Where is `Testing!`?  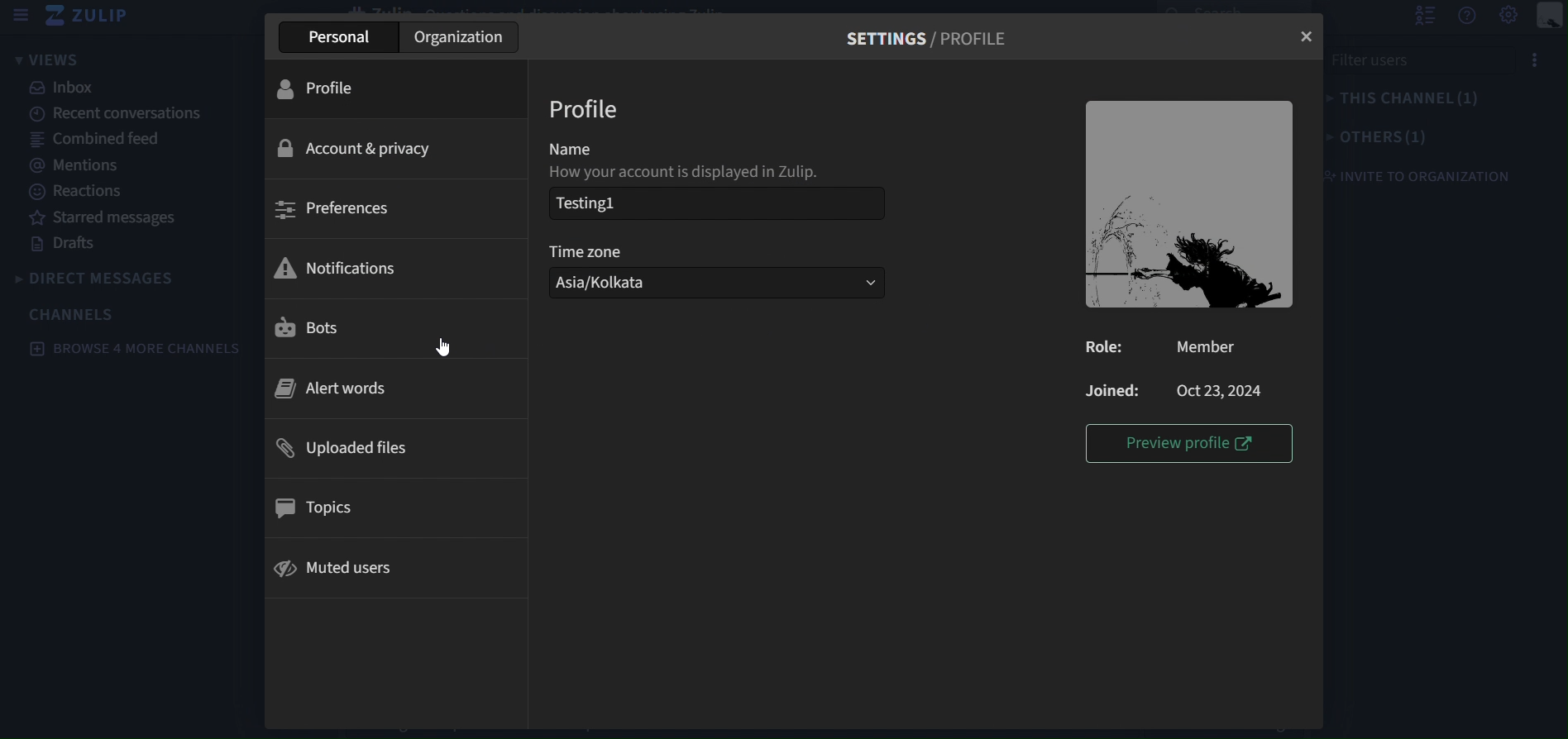
Testing! is located at coordinates (724, 206).